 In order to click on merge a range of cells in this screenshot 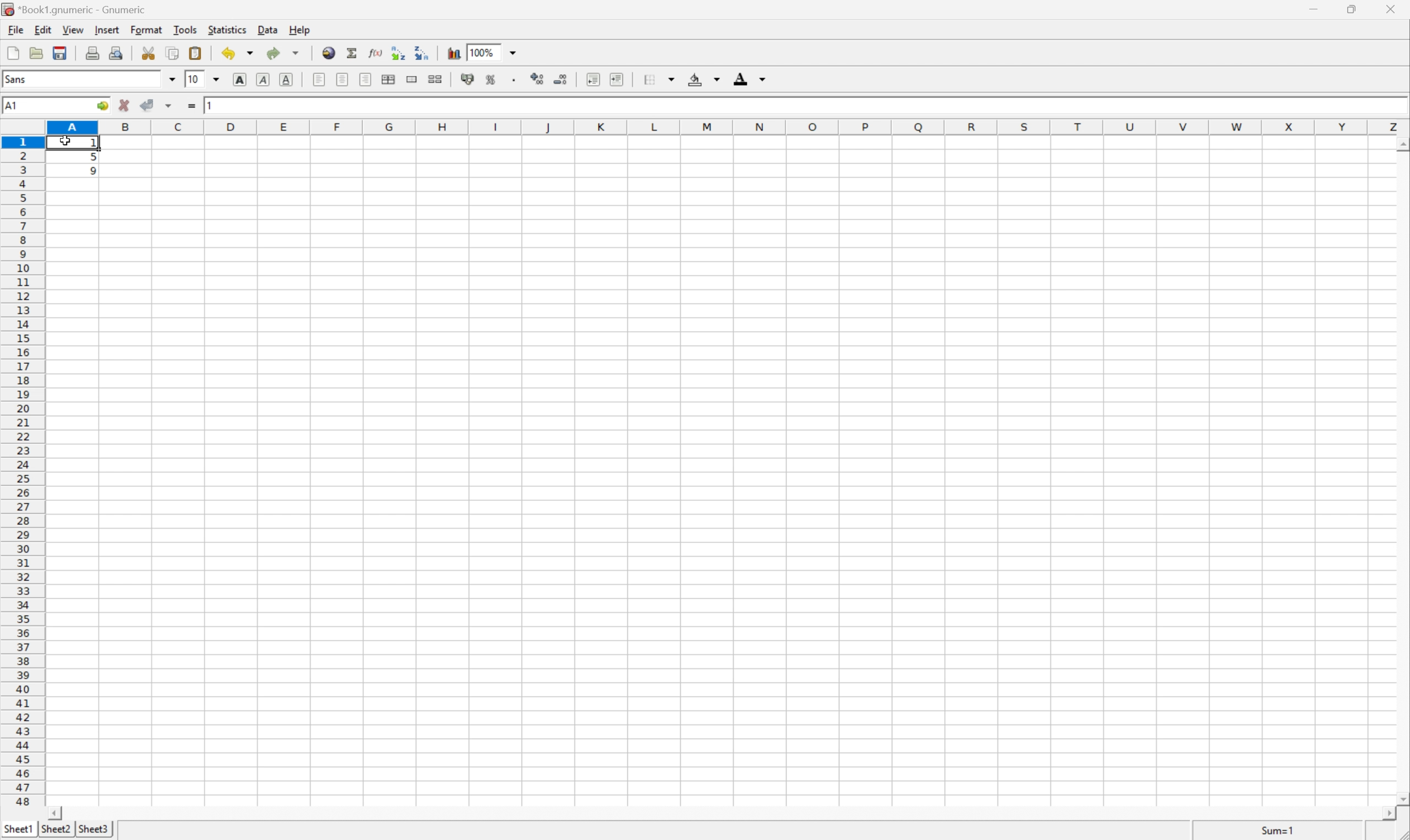, I will do `click(415, 79)`.